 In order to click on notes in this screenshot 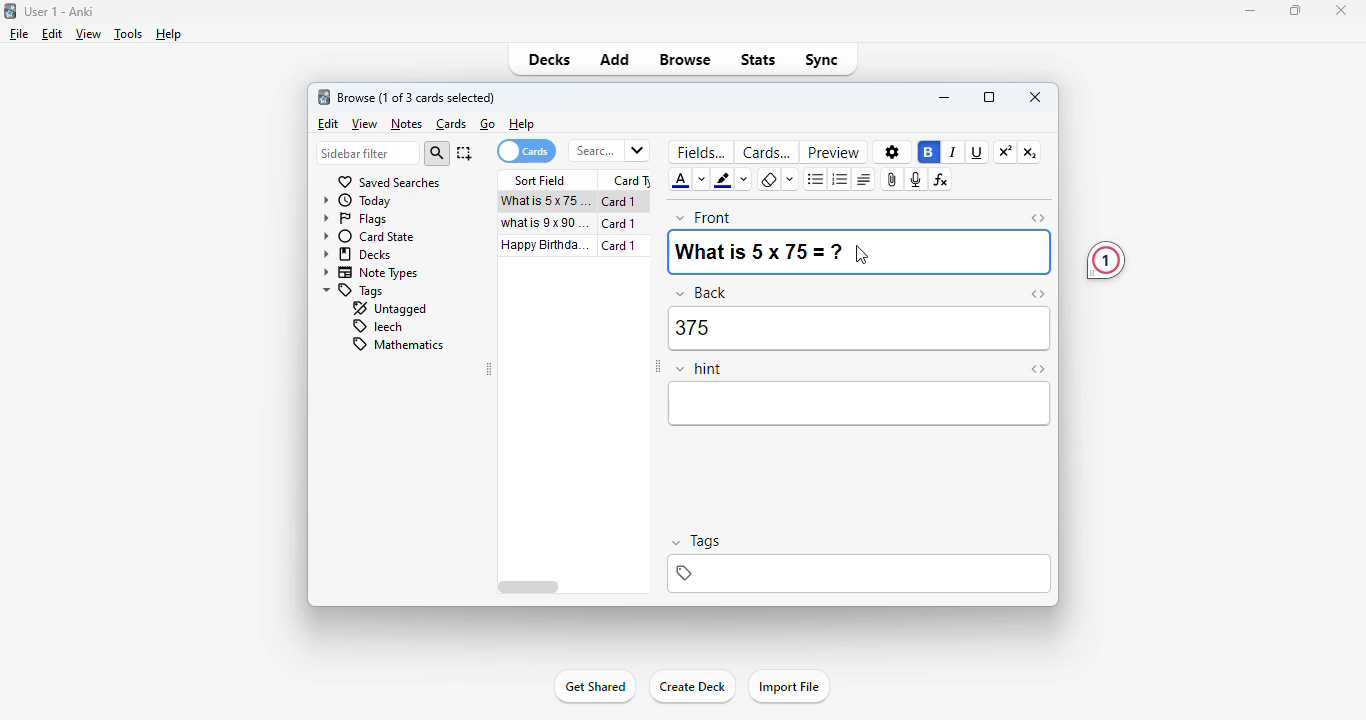, I will do `click(406, 124)`.